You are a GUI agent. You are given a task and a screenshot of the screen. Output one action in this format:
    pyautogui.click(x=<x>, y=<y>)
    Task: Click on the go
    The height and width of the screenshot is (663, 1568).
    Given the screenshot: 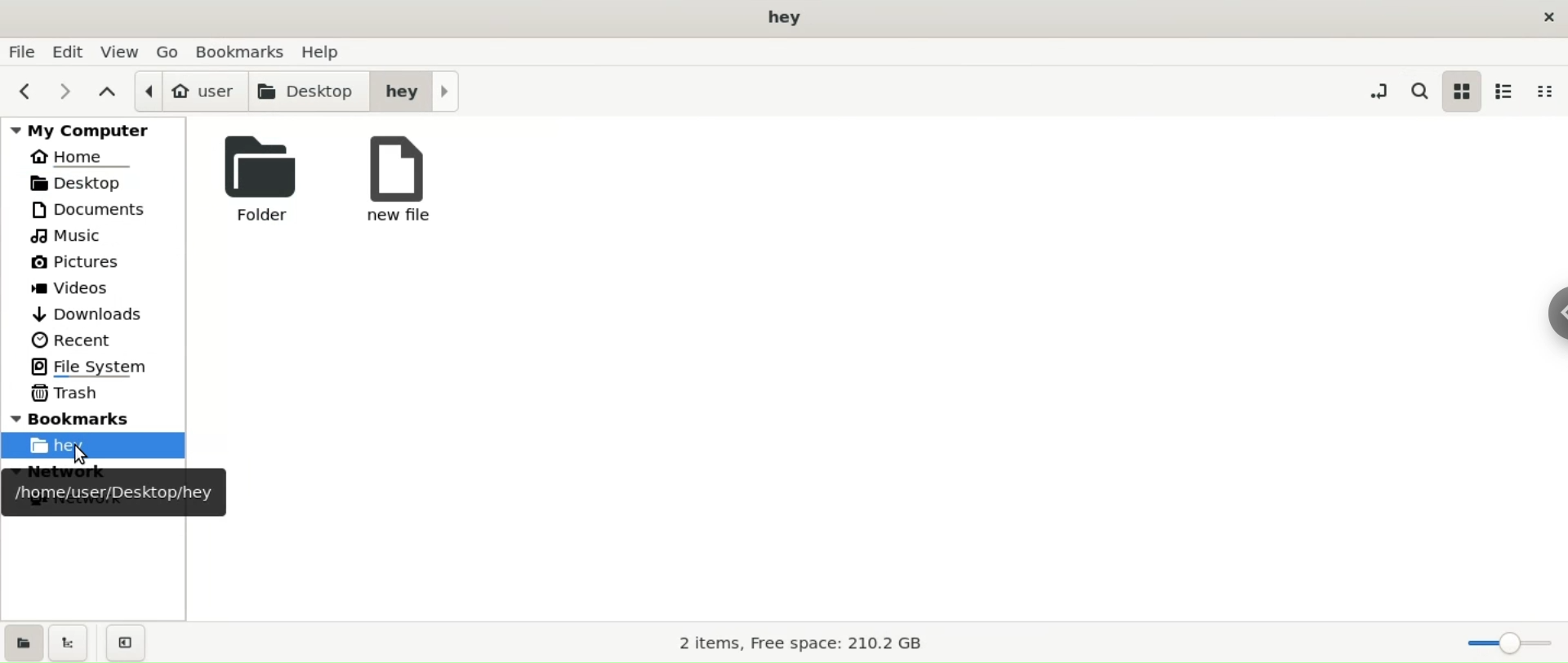 What is the action you would take?
    pyautogui.click(x=170, y=51)
    